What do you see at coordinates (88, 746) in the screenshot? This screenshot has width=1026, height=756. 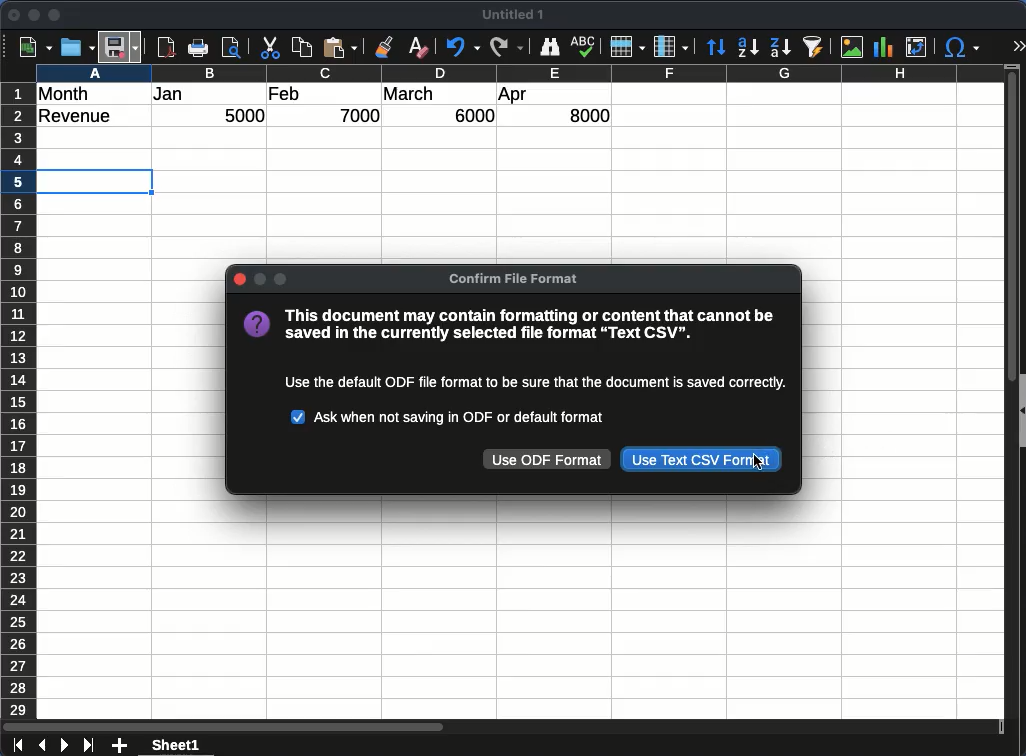 I see `last sheet` at bounding box center [88, 746].